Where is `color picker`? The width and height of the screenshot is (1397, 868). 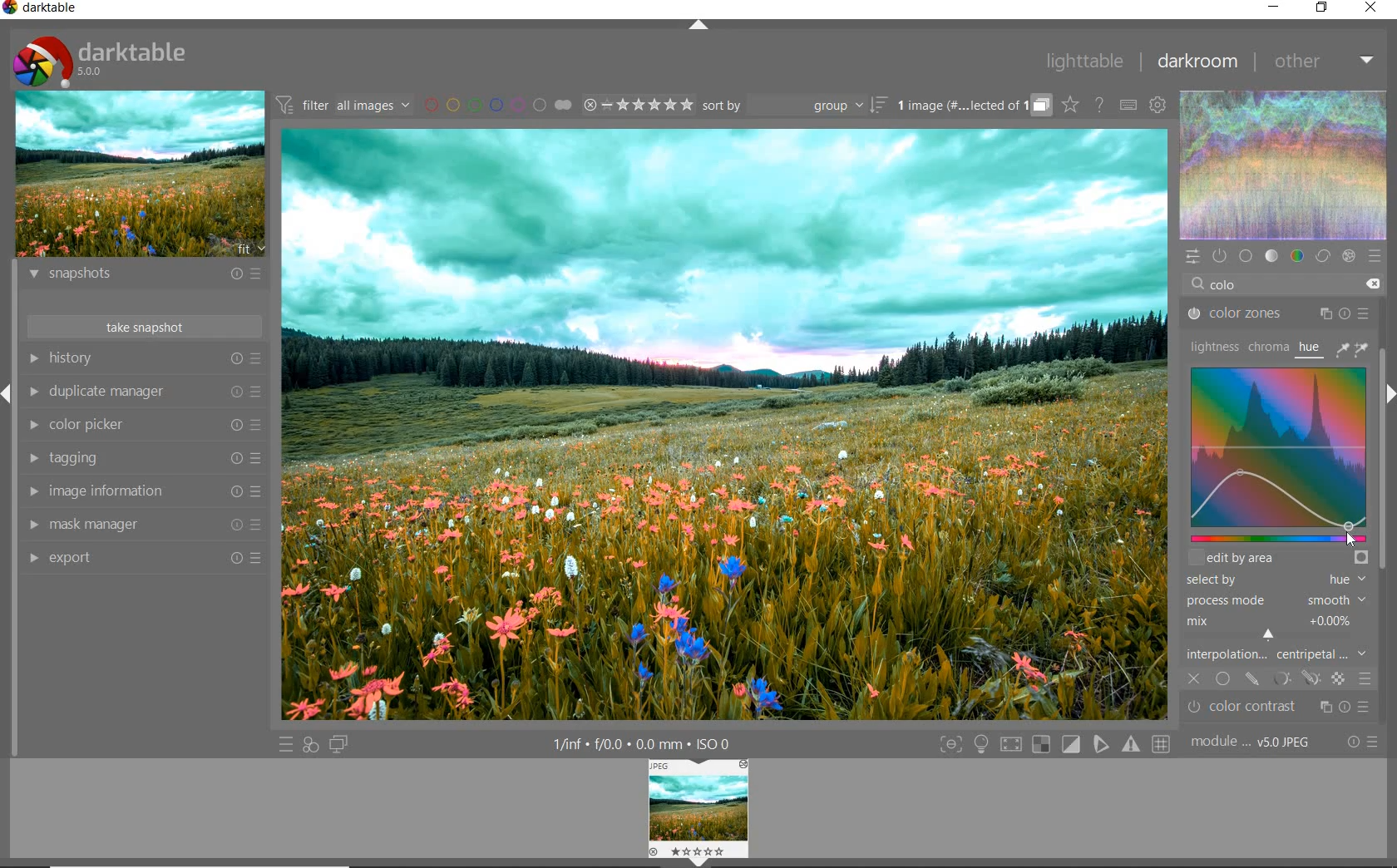
color picker is located at coordinates (144, 424).